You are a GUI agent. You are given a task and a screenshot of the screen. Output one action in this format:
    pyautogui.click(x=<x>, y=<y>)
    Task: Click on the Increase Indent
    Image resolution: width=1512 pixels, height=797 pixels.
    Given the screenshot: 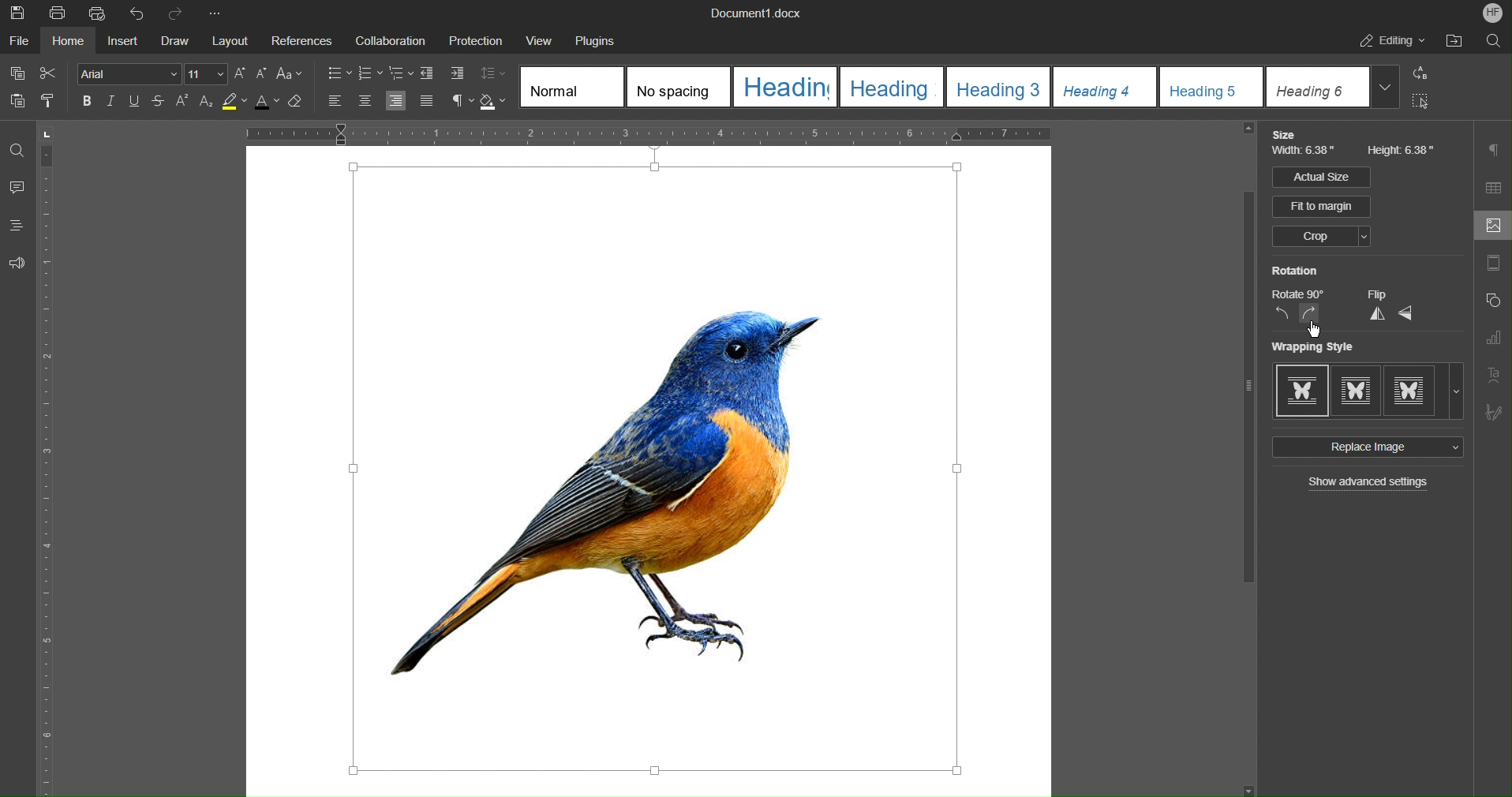 What is the action you would take?
    pyautogui.click(x=451, y=73)
    